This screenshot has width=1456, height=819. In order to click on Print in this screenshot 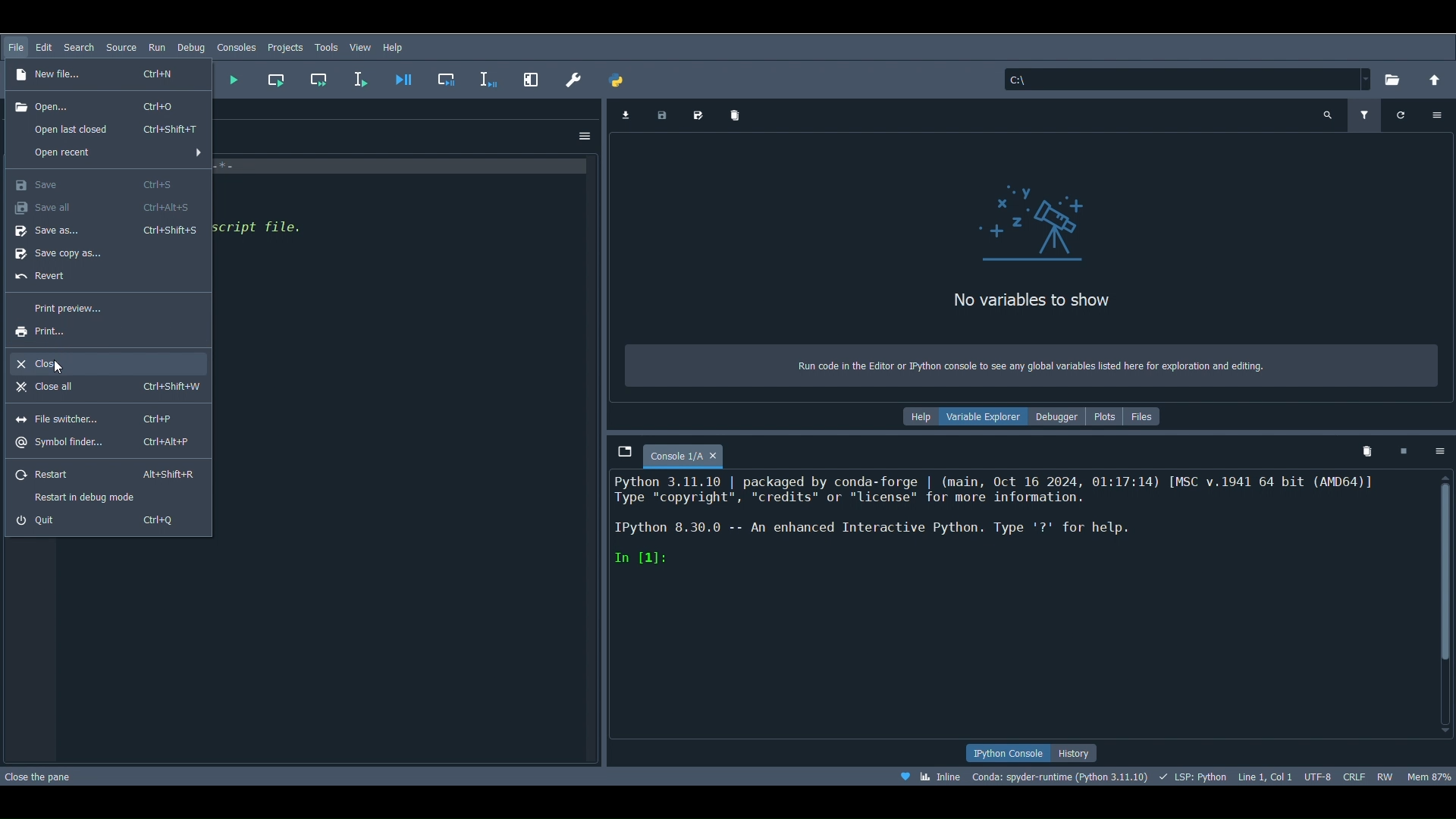, I will do `click(42, 334)`.